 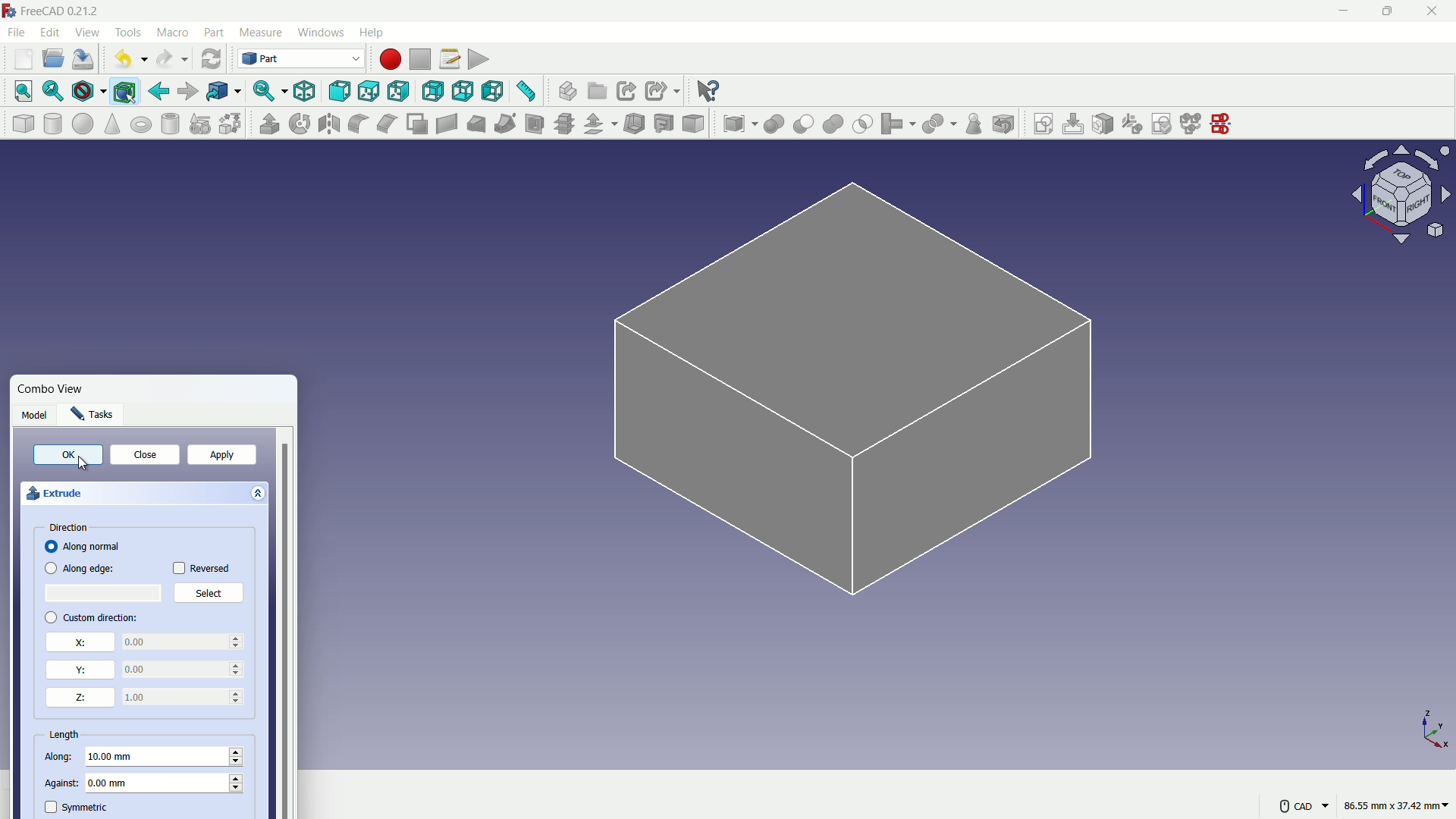 I want to click on vertical scrollbar, so click(x=287, y=623).